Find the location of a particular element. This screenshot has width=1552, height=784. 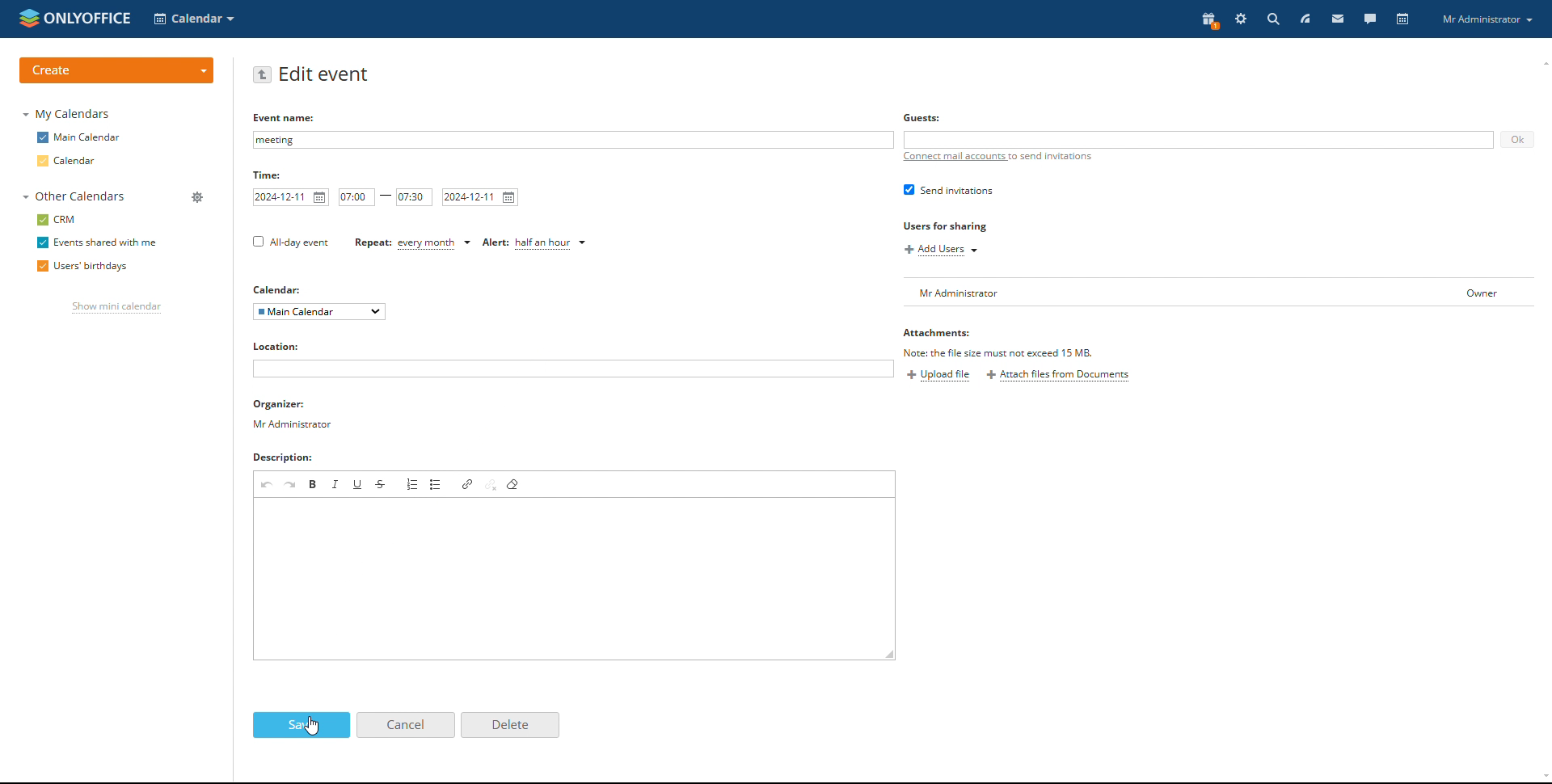

start date is located at coordinates (293, 197).